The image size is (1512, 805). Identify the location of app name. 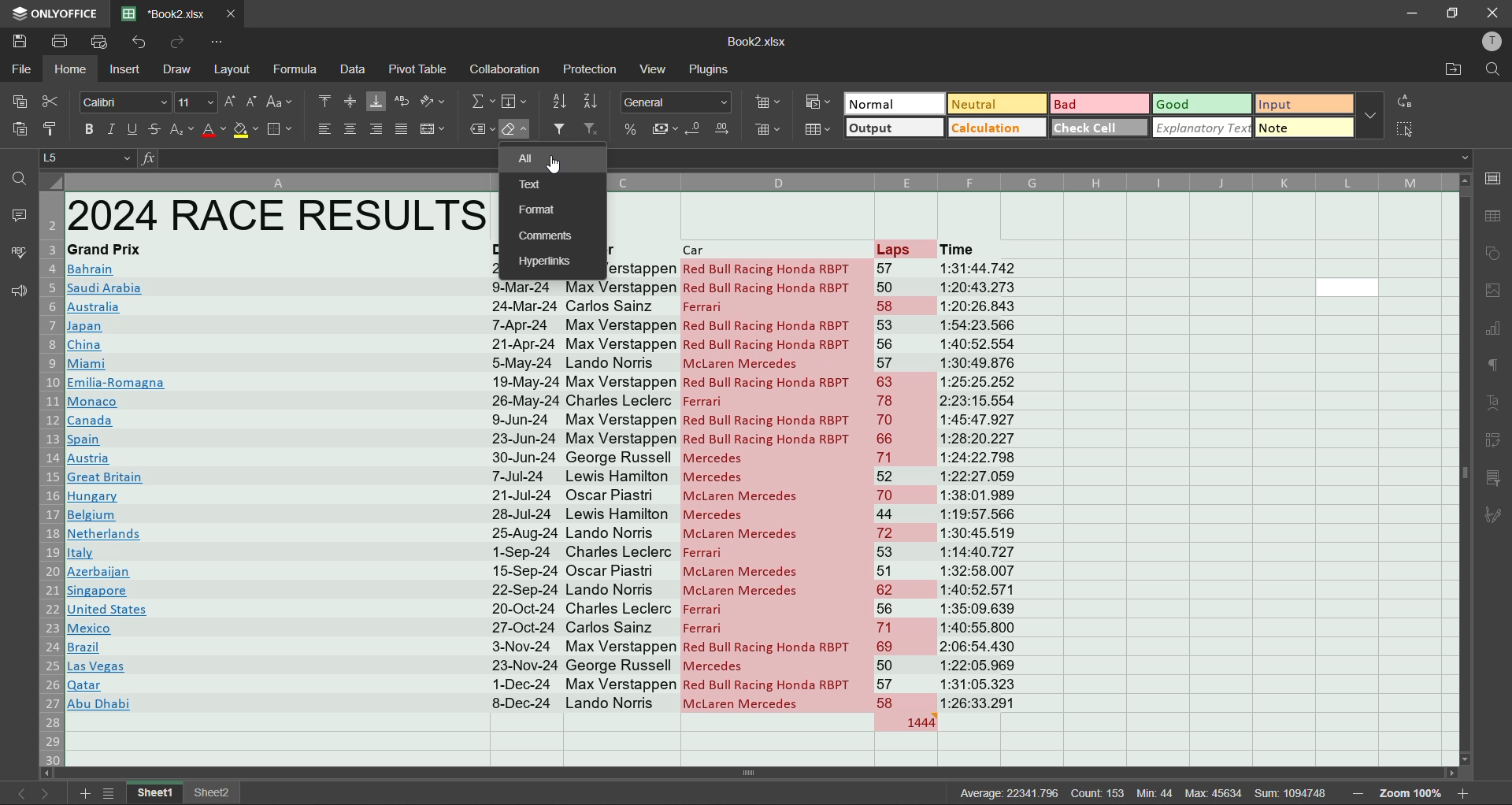
(55, 11).